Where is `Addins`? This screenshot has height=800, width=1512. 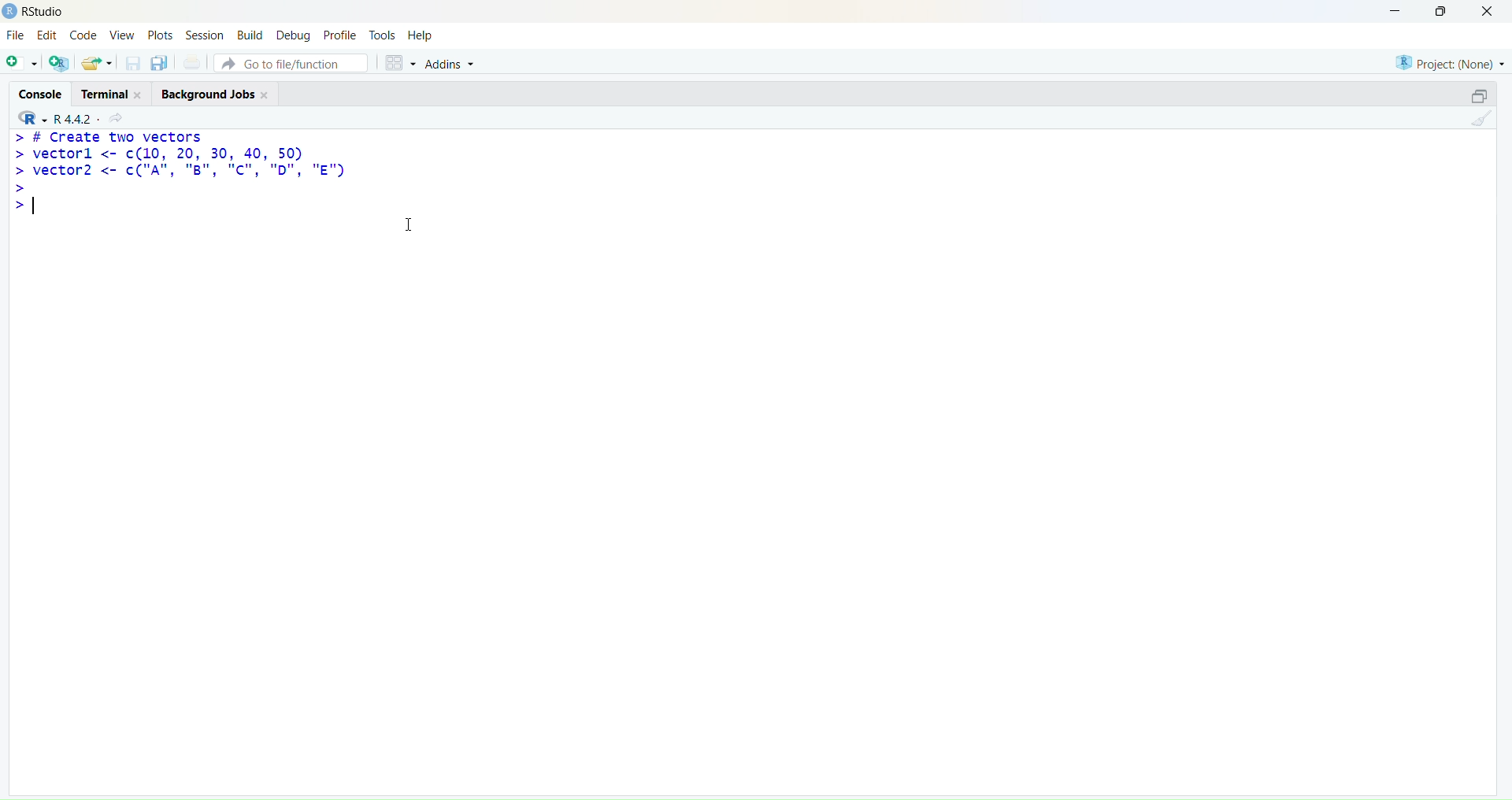 Addins is located at coordinates (449, 64).